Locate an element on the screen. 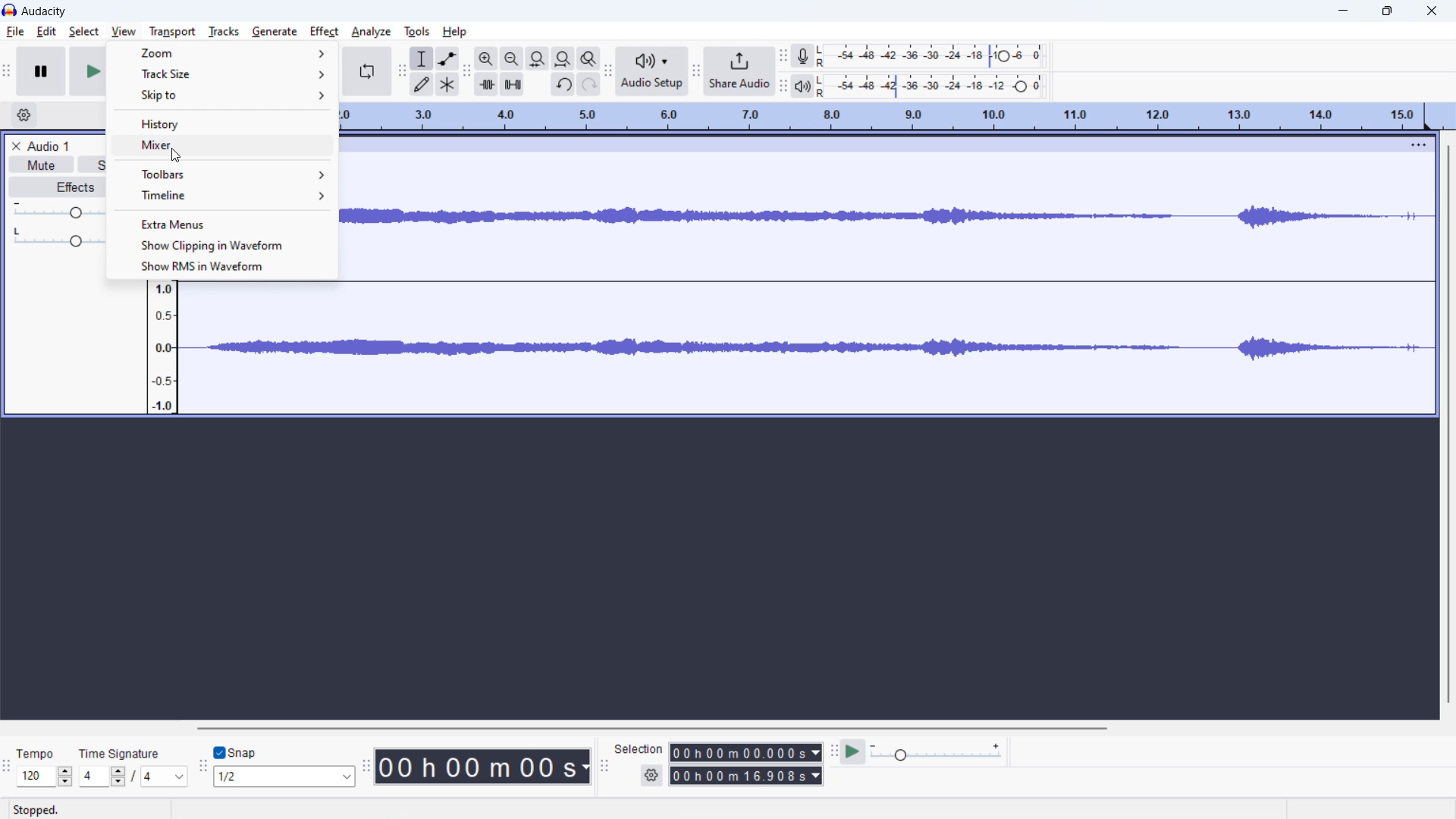 This screenshot has width=1456, height=819. record level is located at coordinates (946, 54).